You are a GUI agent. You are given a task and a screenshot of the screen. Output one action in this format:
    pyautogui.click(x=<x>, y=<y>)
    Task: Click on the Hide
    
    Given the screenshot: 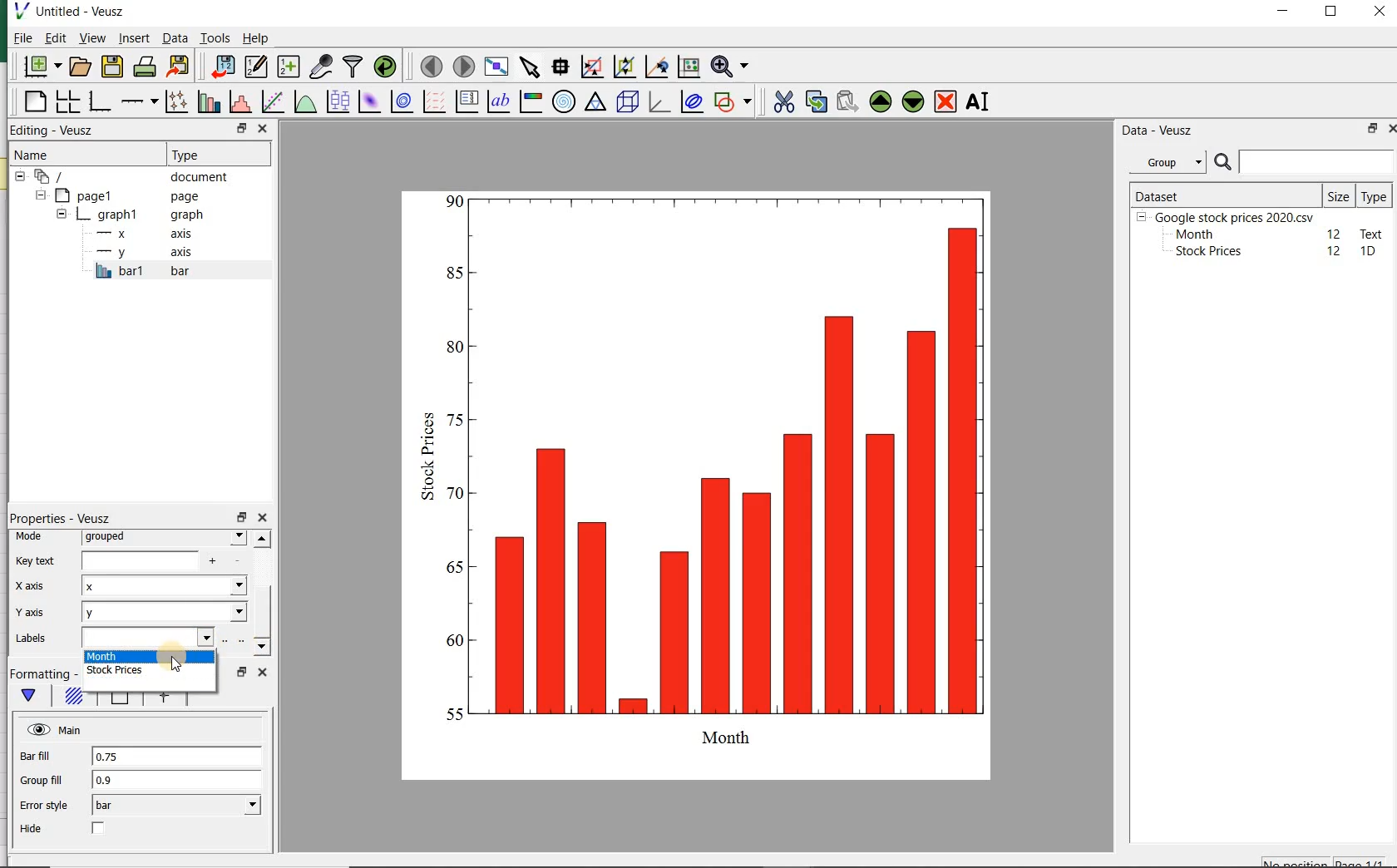 What is the action you would take?
    pyautogui.click(x=31, y=828)
    